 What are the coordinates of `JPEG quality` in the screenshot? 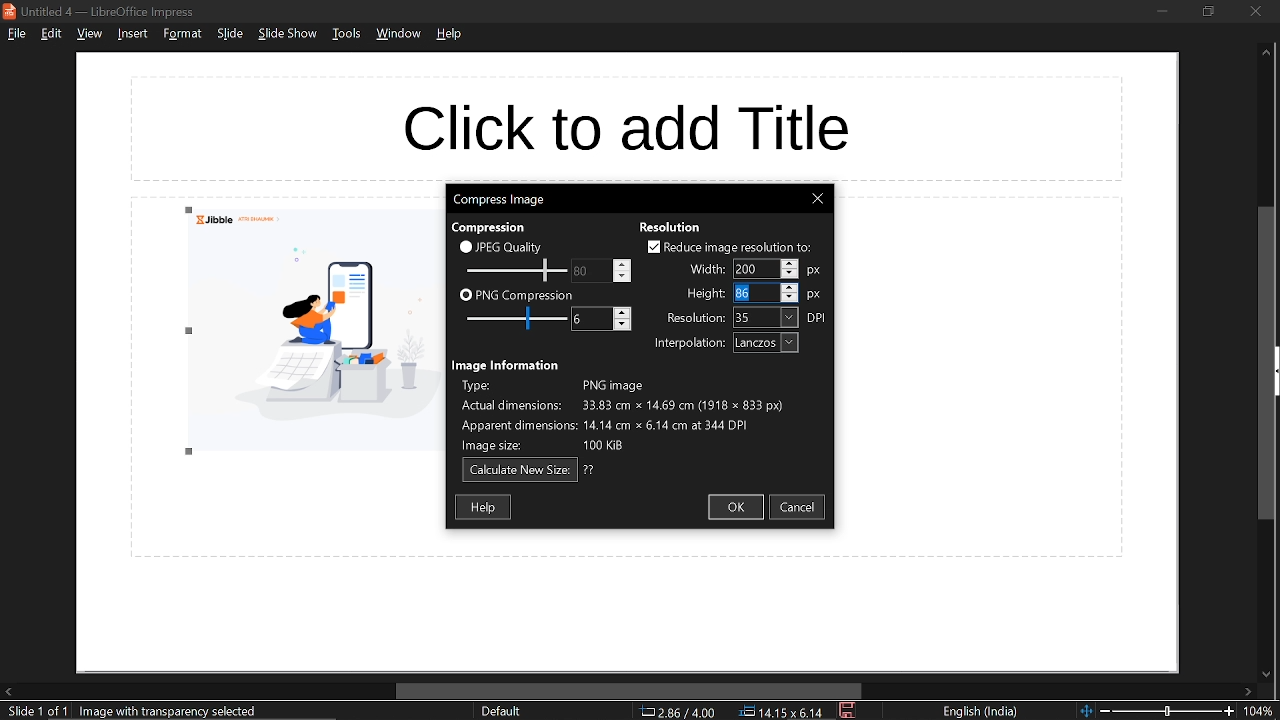 It's located at (506, 246).